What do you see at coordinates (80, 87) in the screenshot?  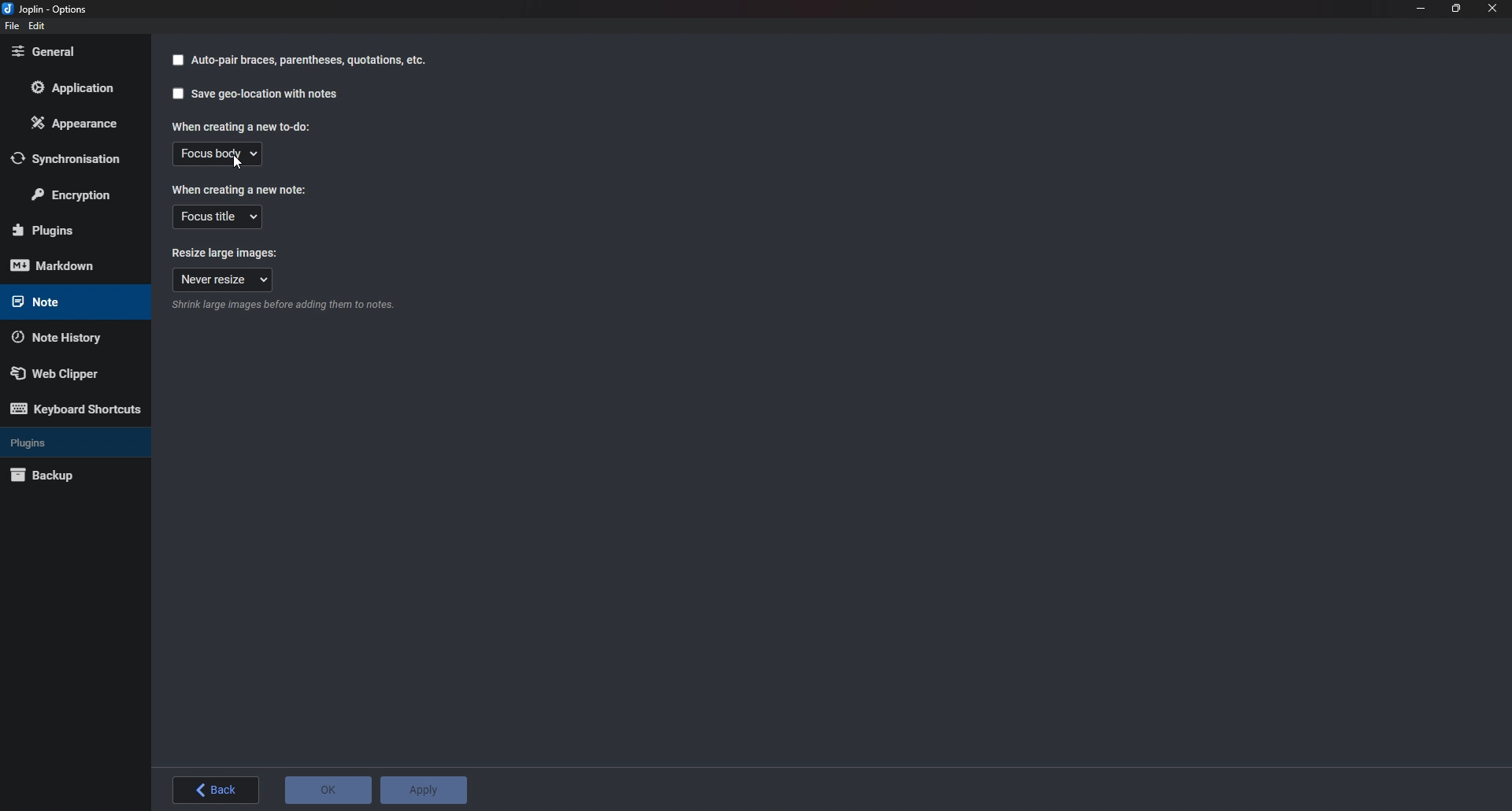 I see `Application` at bounding box center [80, 87].